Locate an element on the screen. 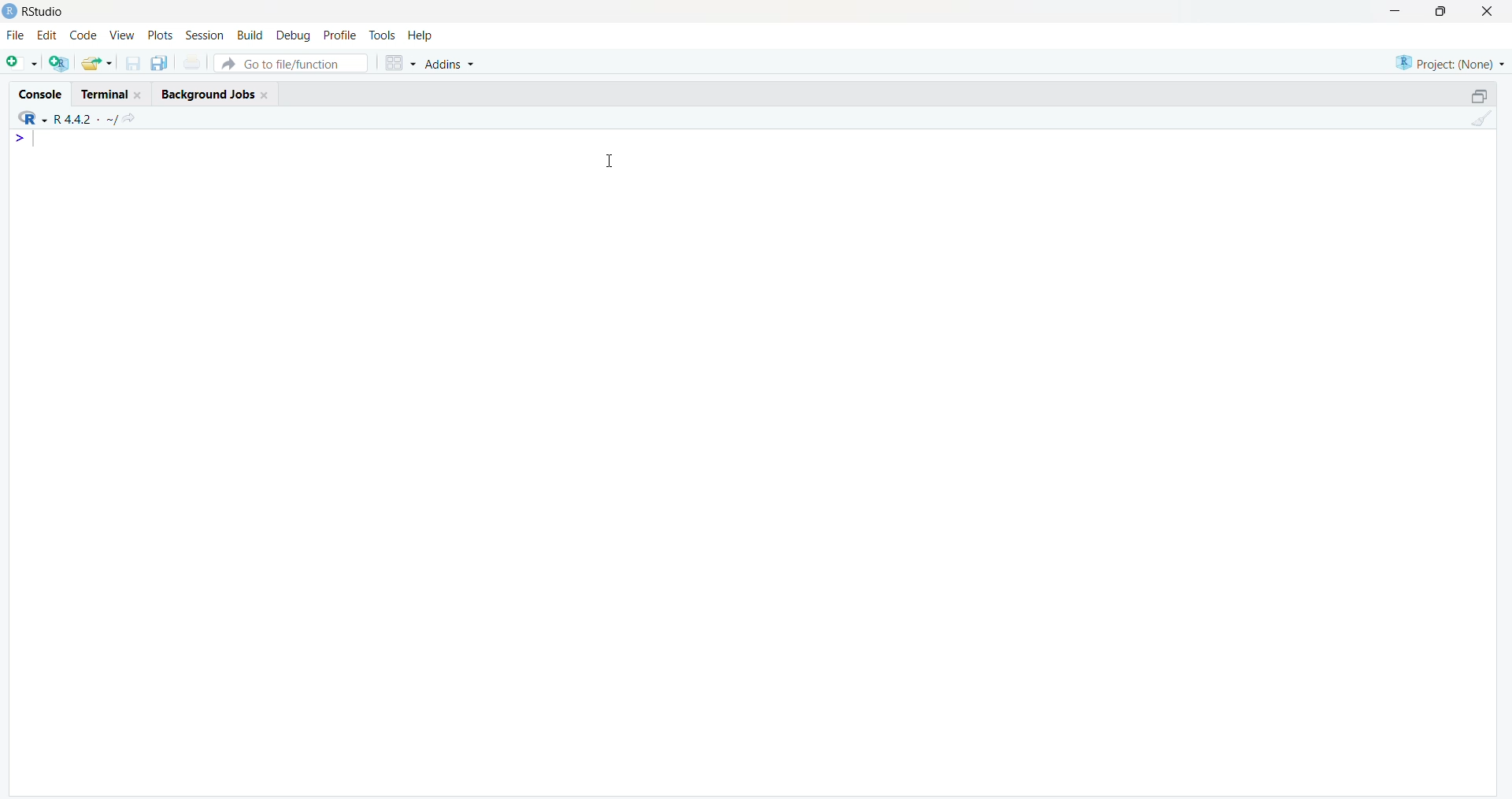 The image size is (1512, 799). session is located at coordinates (205, 35).